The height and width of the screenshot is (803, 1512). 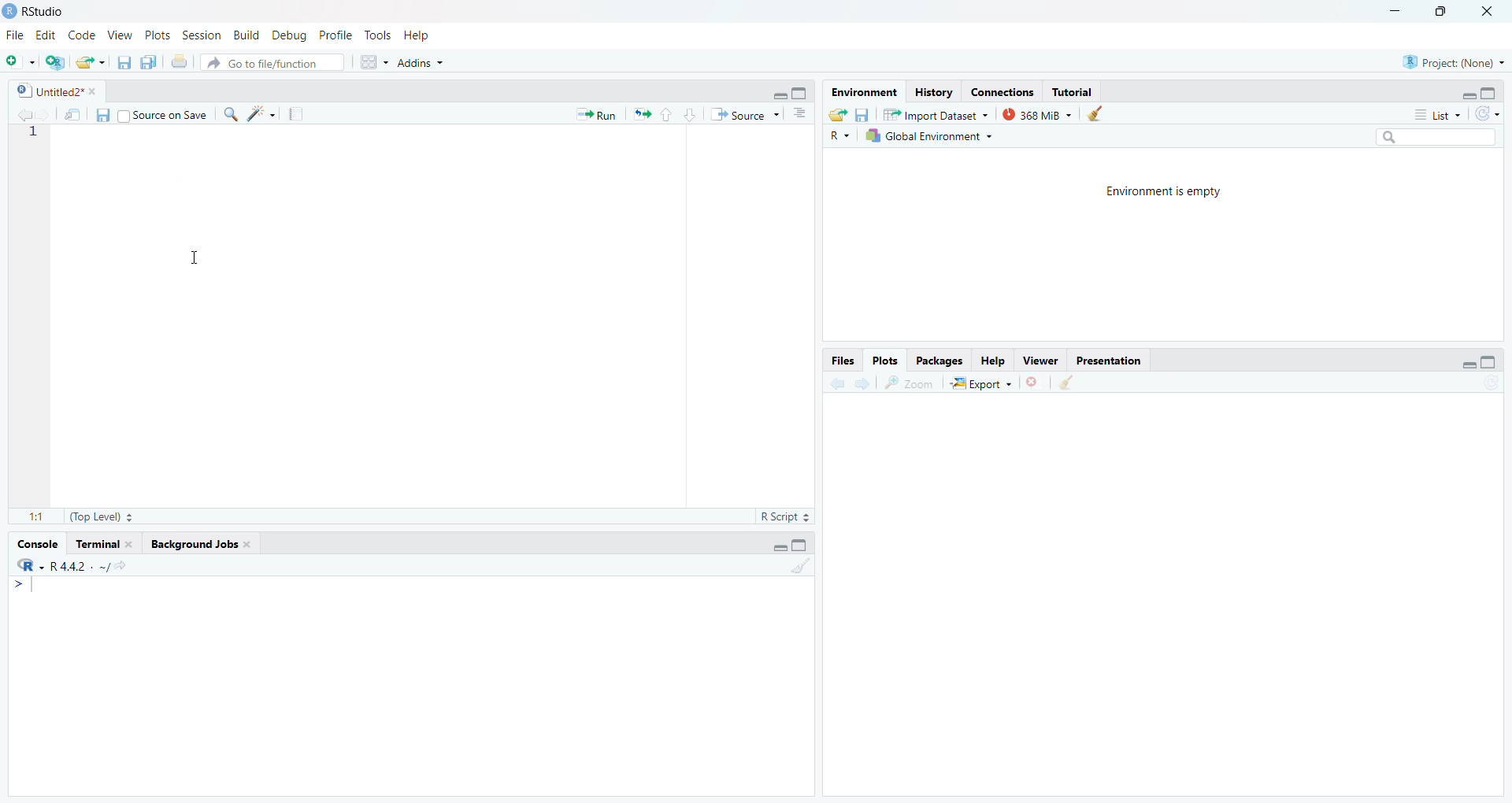 What do you see at coordinates (1038, 361) in the screenshot?
I see `Viewer` at bounding box center [1038, 361].